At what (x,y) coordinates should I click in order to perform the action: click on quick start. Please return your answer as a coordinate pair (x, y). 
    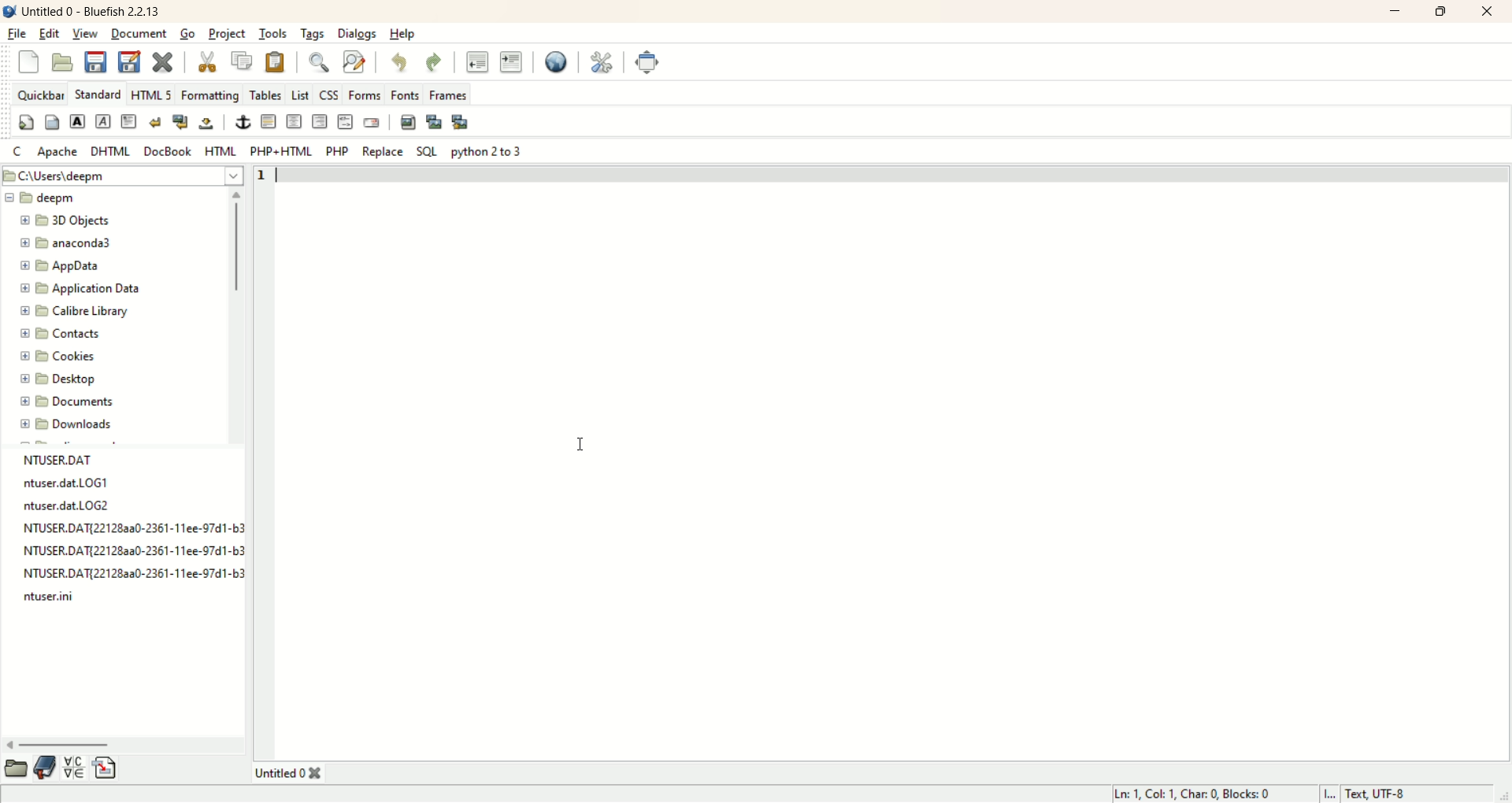
    Looking at the image, I should click on (25, 122).